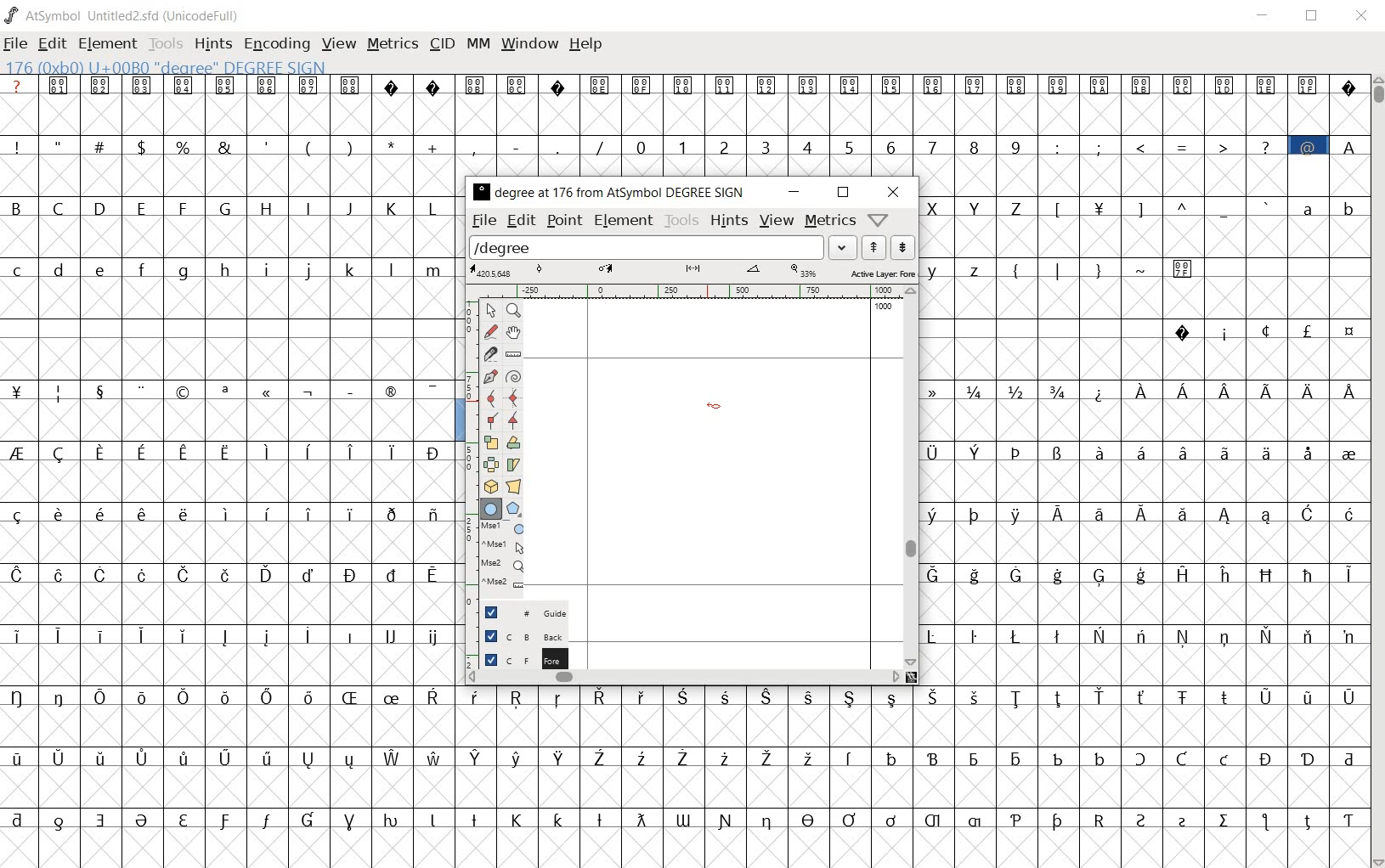 The width and height of the screenshot is (1385, 868). I want to click on empty glyph slots, so click(1144, 358).